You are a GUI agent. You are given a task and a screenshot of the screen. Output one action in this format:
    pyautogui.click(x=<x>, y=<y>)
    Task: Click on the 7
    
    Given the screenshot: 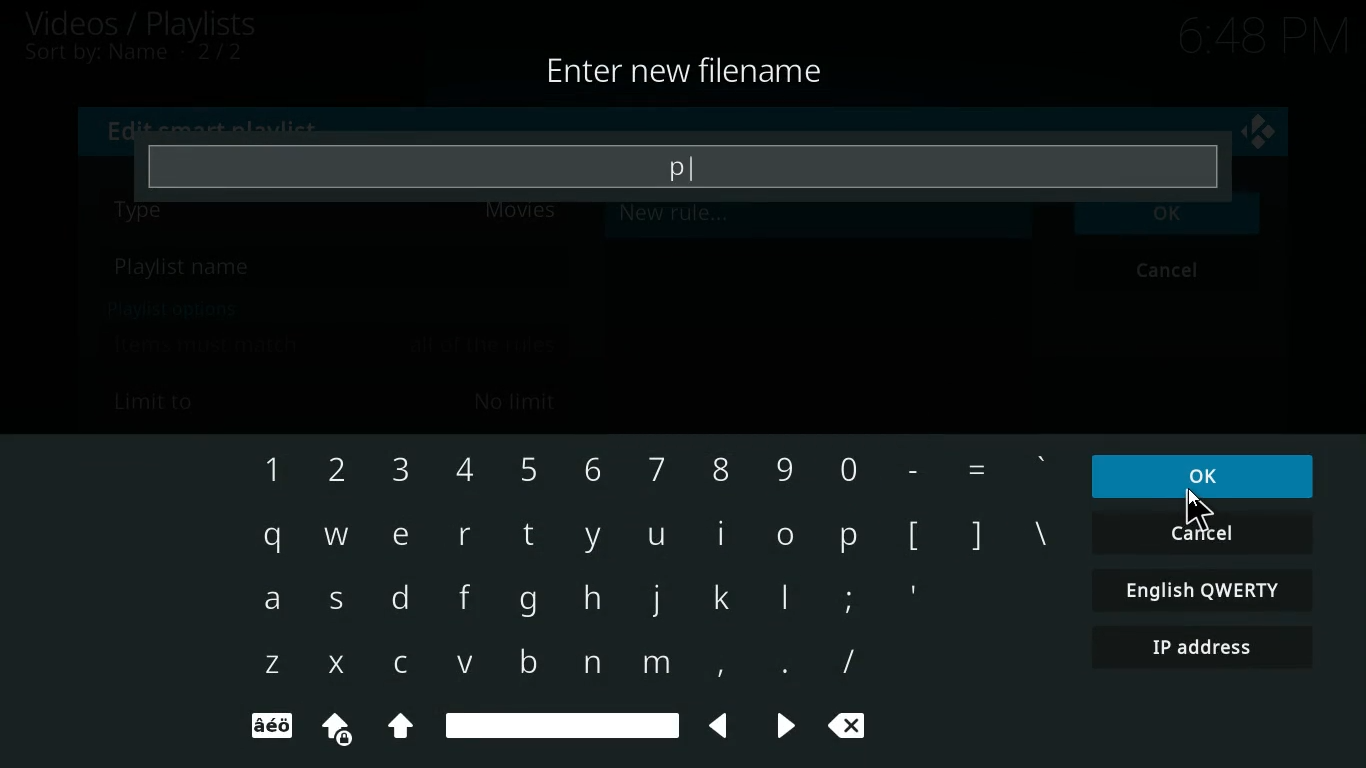 What is the action you would take?
    pyautogui.click(x=651, y=468)
    